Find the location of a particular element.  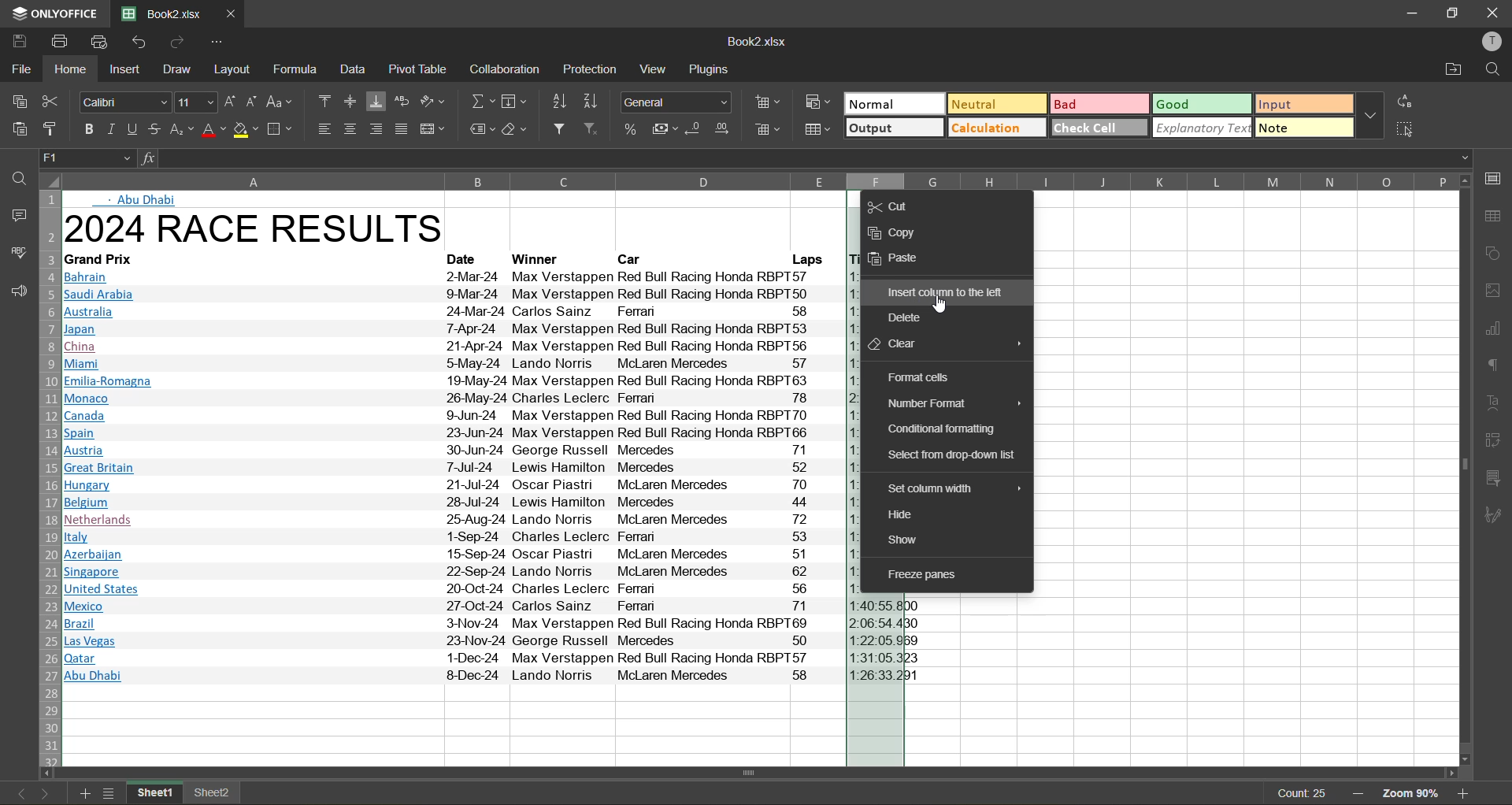

justified is located at coordinates (403, 129).